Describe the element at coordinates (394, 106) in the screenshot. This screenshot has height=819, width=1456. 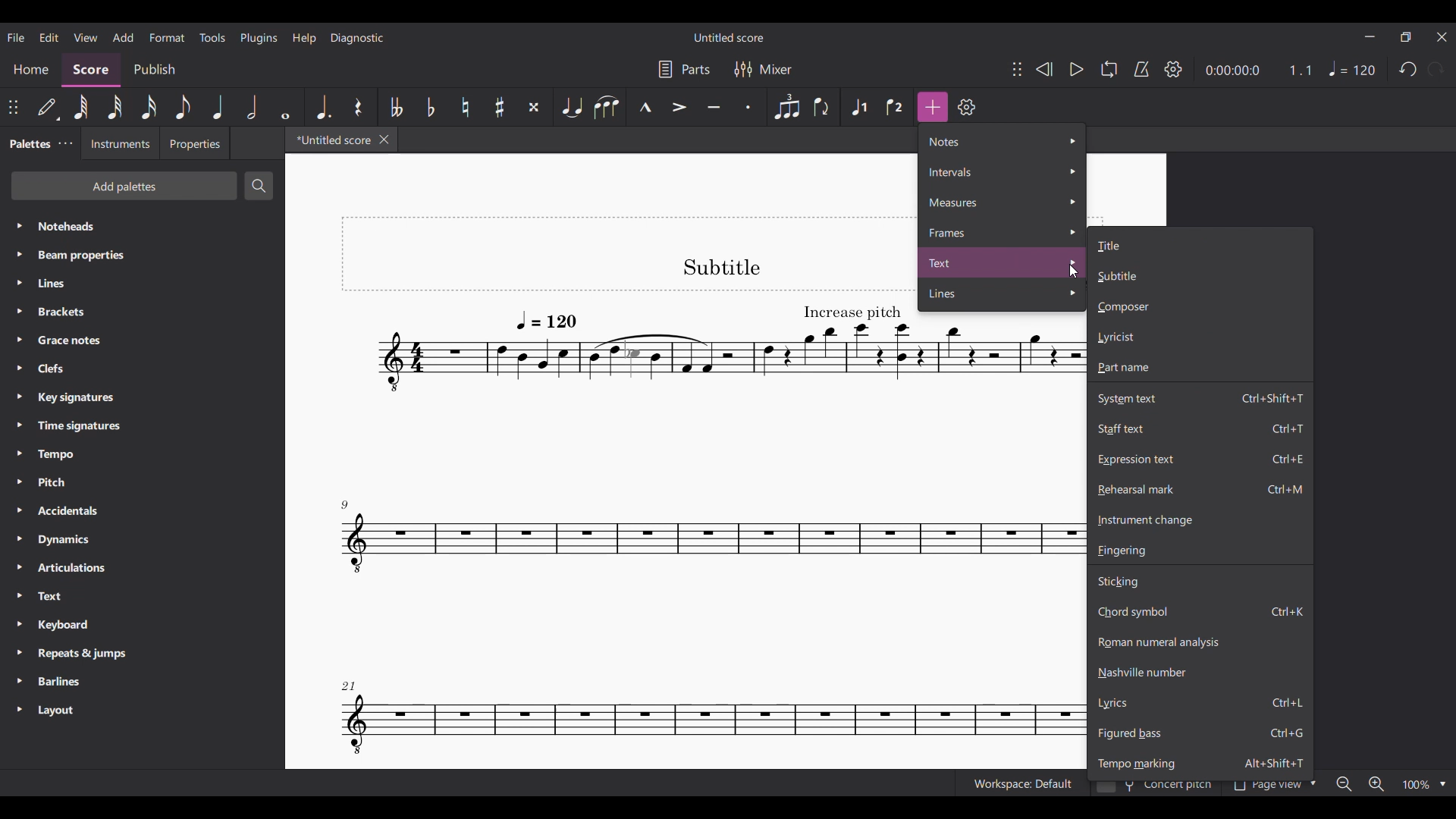
I see `Toggle double flat` at that location.